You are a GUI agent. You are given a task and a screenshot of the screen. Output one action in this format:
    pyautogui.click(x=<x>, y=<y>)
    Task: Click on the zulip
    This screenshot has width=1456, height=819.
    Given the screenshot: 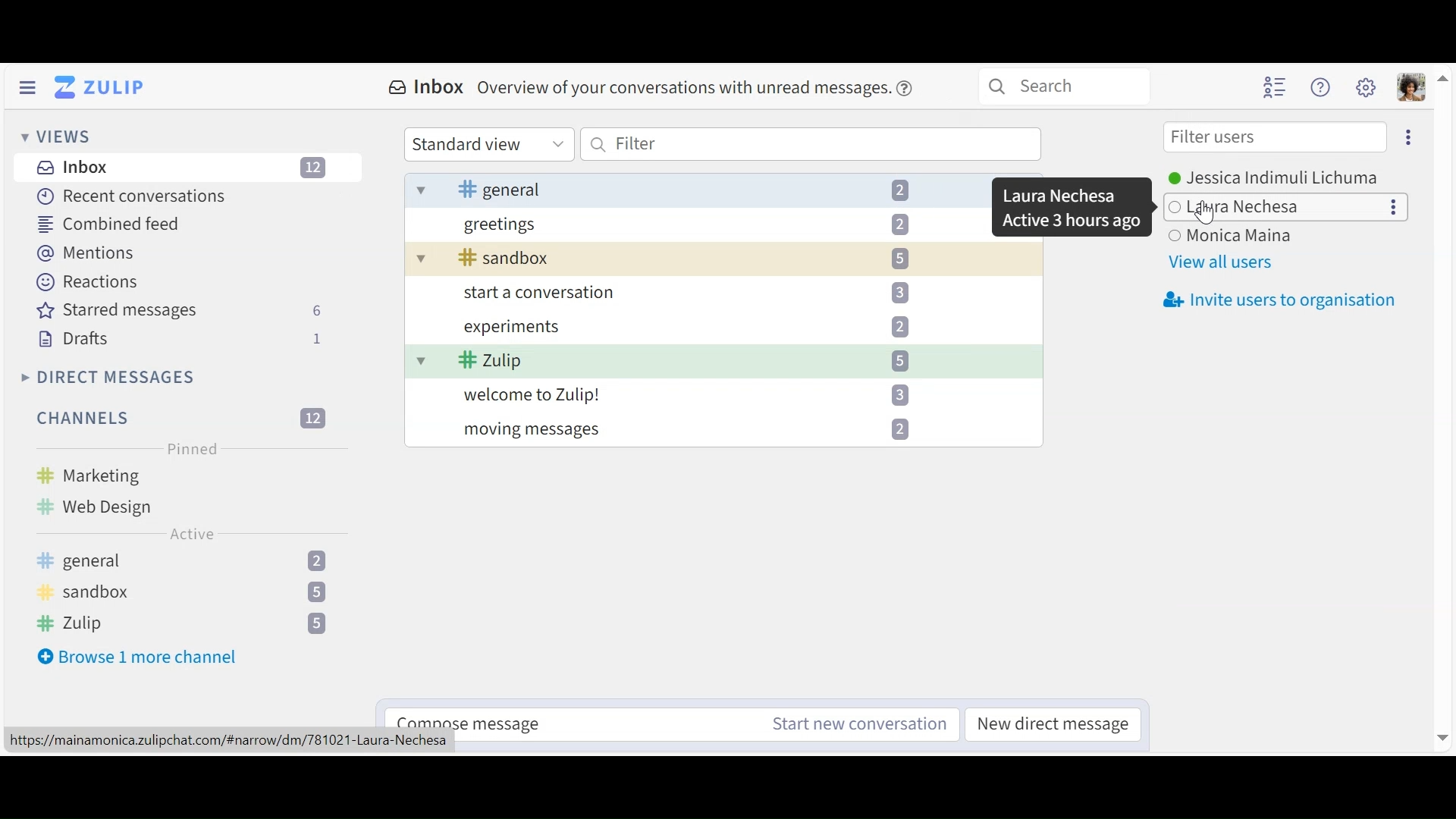 What is the action you would take?
    pyautogui.click(x=191, y=623)
    